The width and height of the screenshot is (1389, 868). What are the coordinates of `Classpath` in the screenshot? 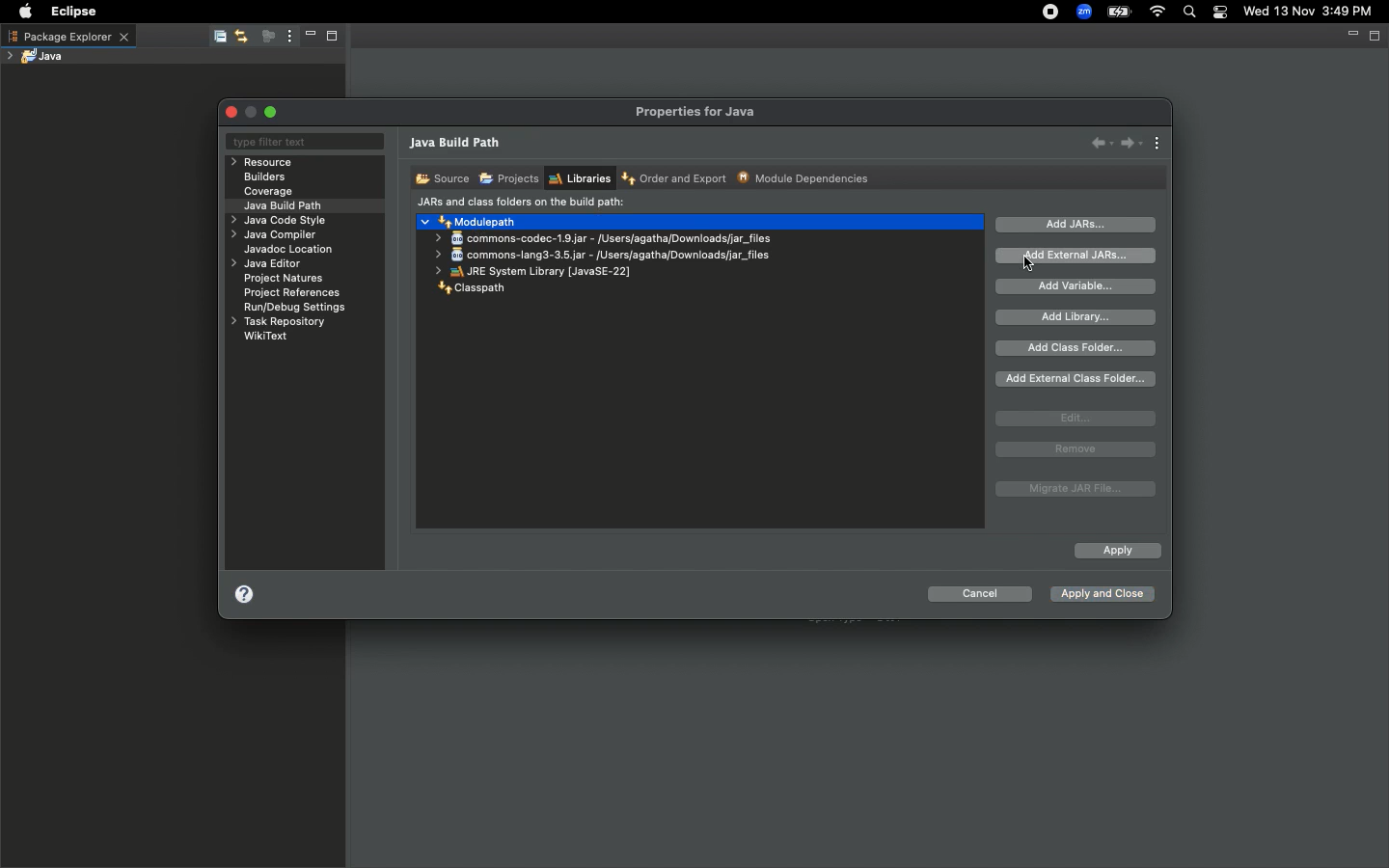 It's located at (468, 290).